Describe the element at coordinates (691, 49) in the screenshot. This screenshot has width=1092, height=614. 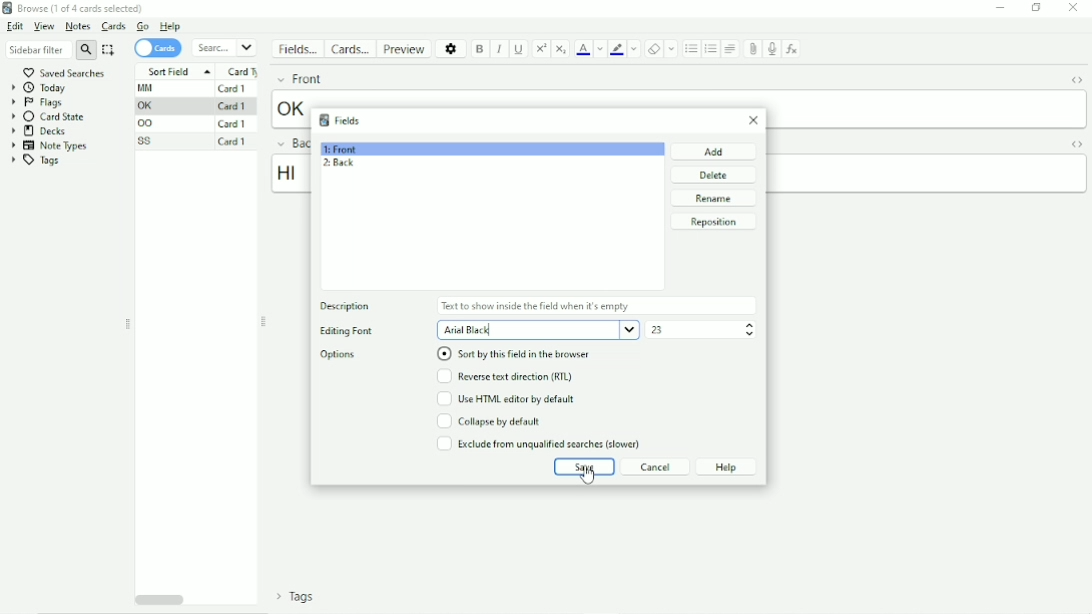
I see `Unordered list` at that location.